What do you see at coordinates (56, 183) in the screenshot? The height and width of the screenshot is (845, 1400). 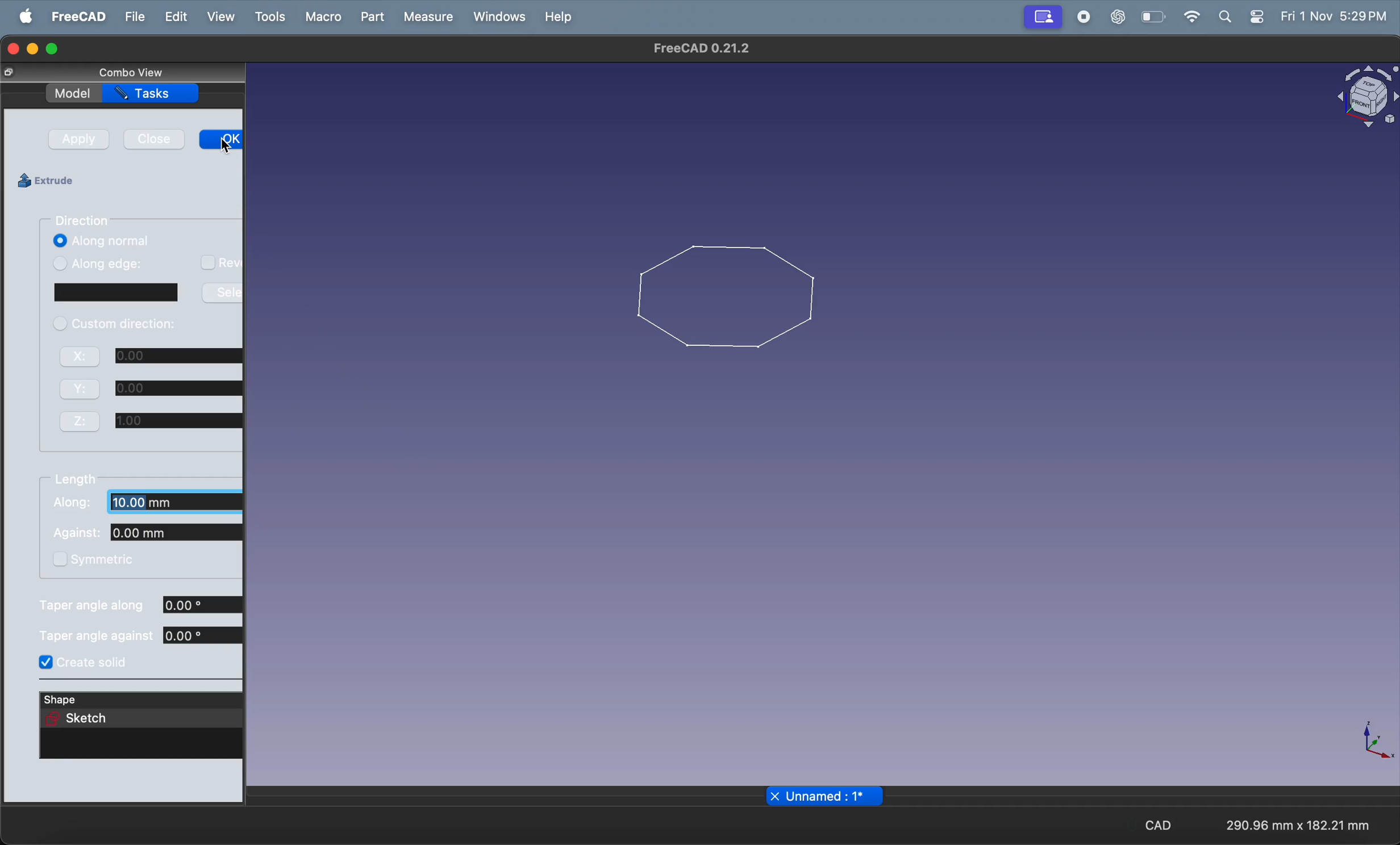 I see `extrude` at bounding box center [56, 183].